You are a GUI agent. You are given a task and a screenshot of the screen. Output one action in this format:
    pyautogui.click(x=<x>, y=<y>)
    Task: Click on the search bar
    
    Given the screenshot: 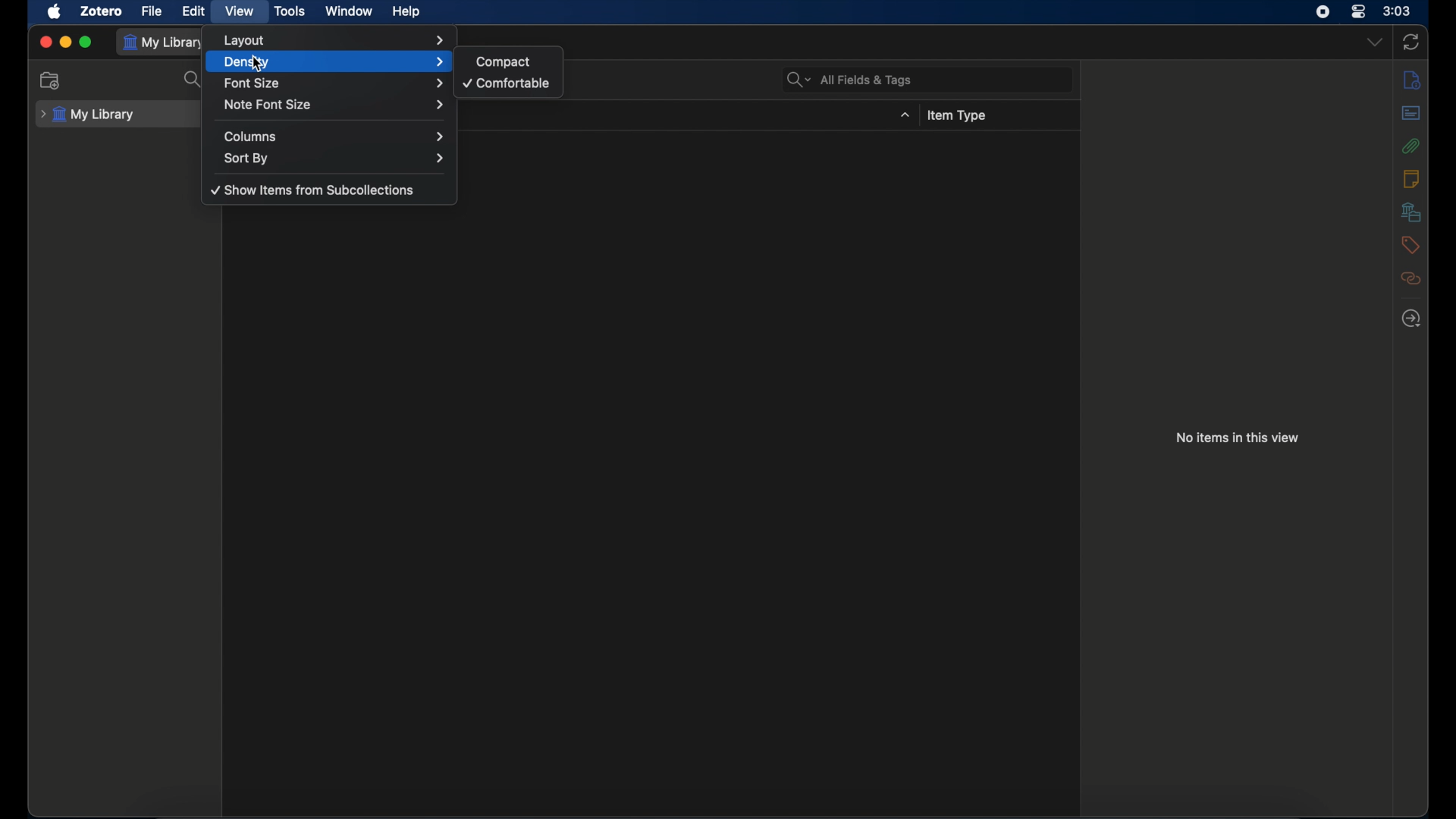 What is the action you would take?
    pyautogui.click(x=849, y=80)
    